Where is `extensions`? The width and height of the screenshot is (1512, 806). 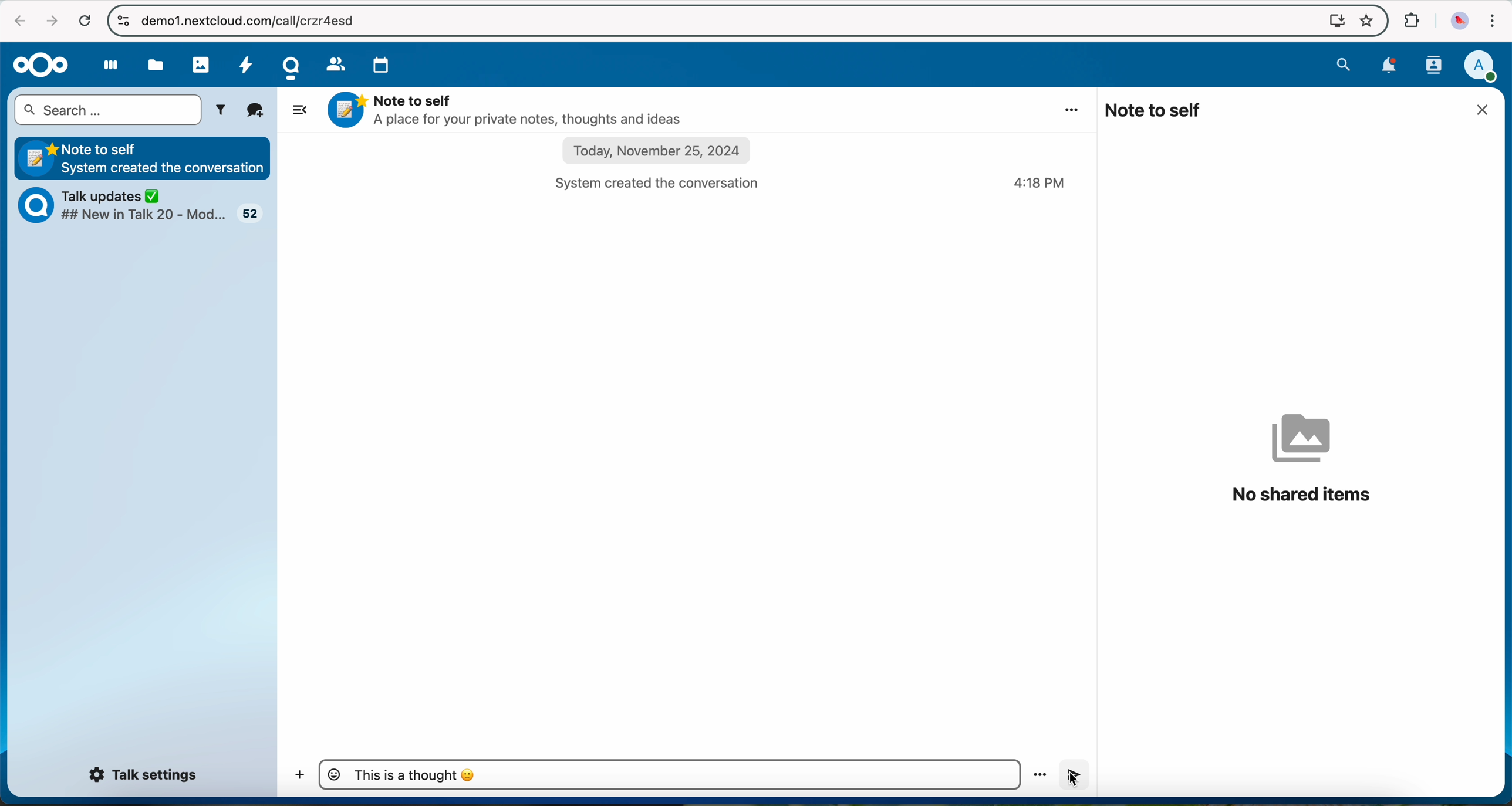
extensions is located at coordinates (1412, 21).